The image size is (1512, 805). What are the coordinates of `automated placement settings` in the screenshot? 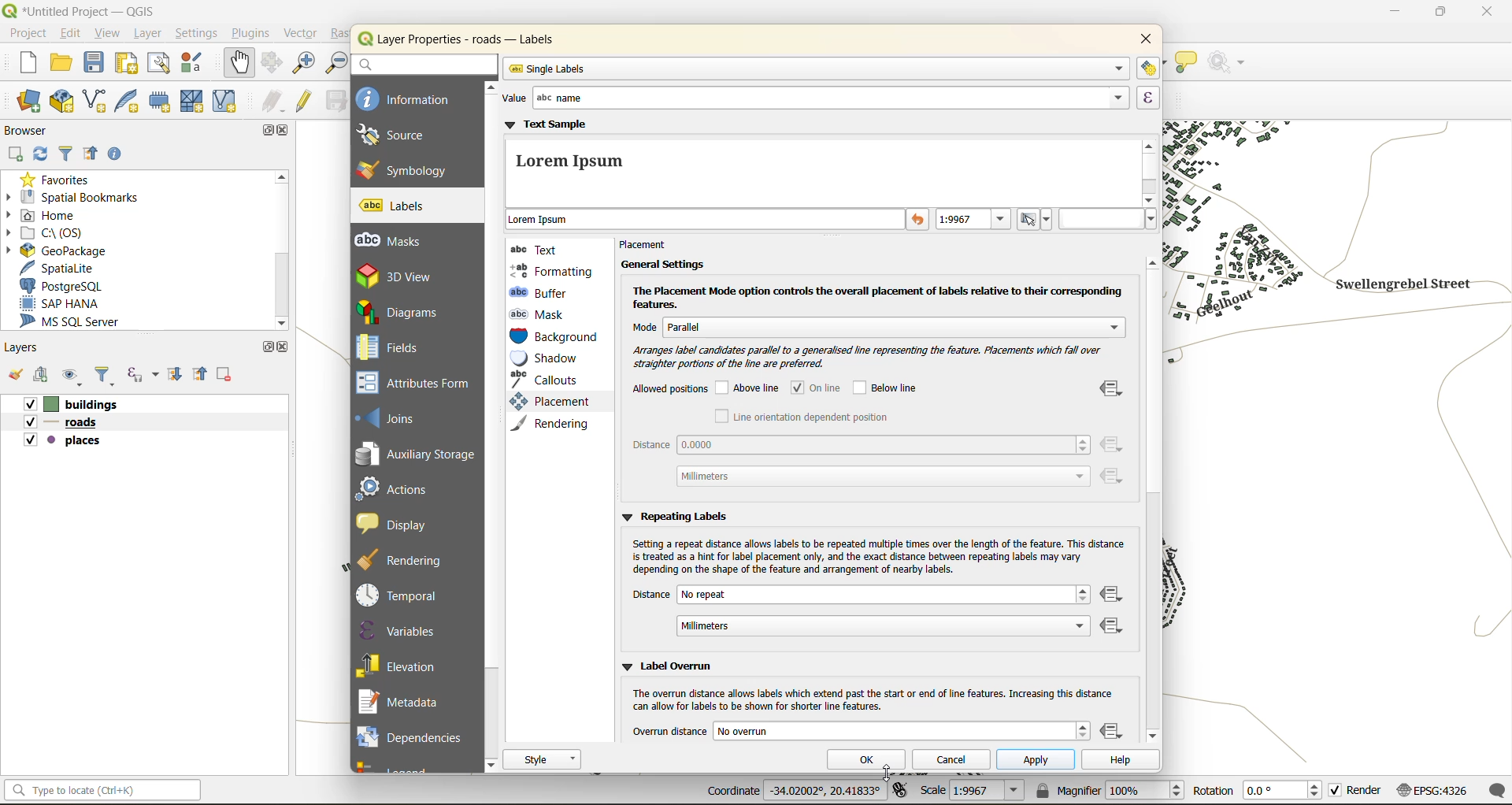 It's located at (1149, 68).